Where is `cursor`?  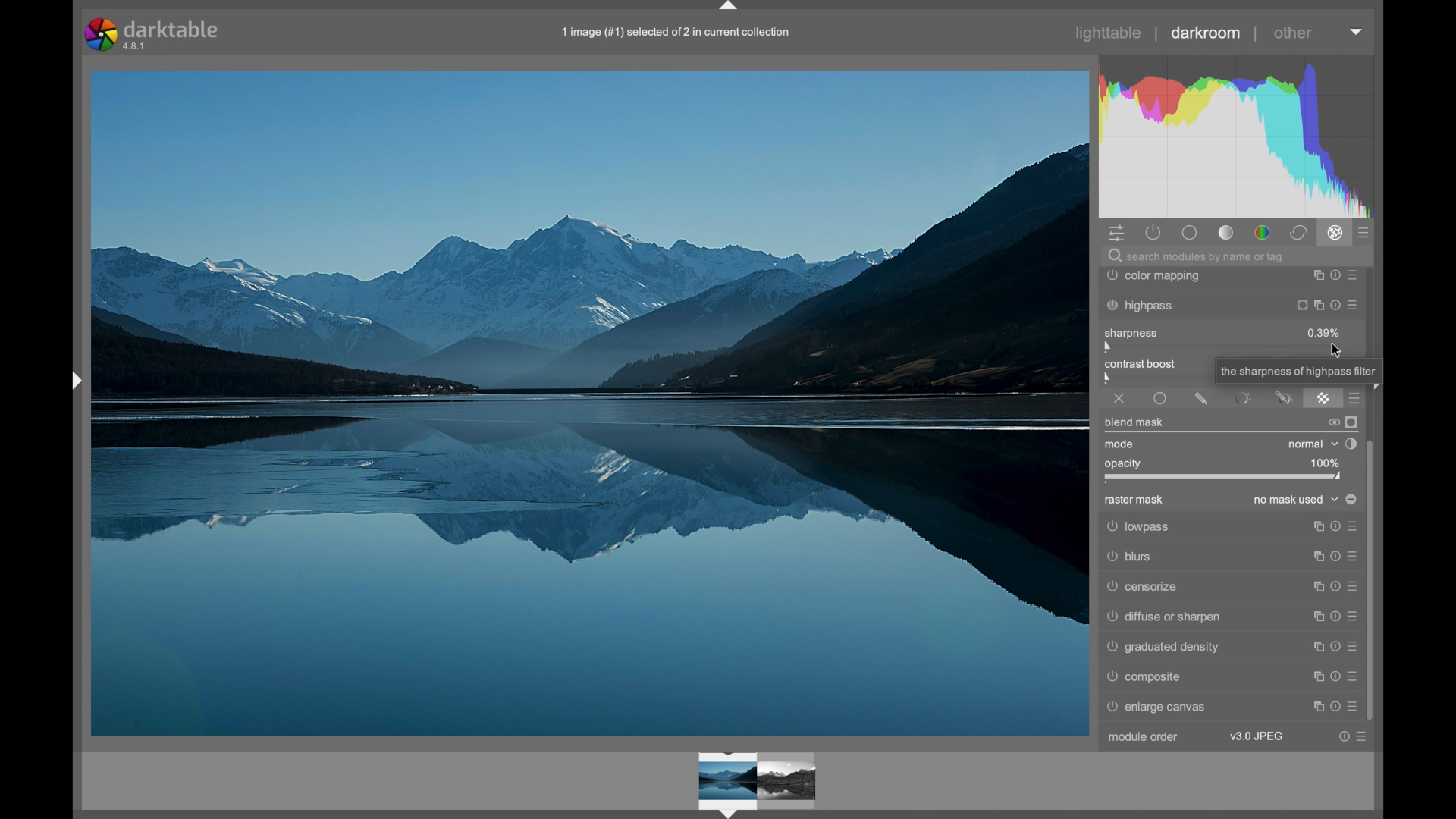
cursor is located at coordinates (1337, 352).